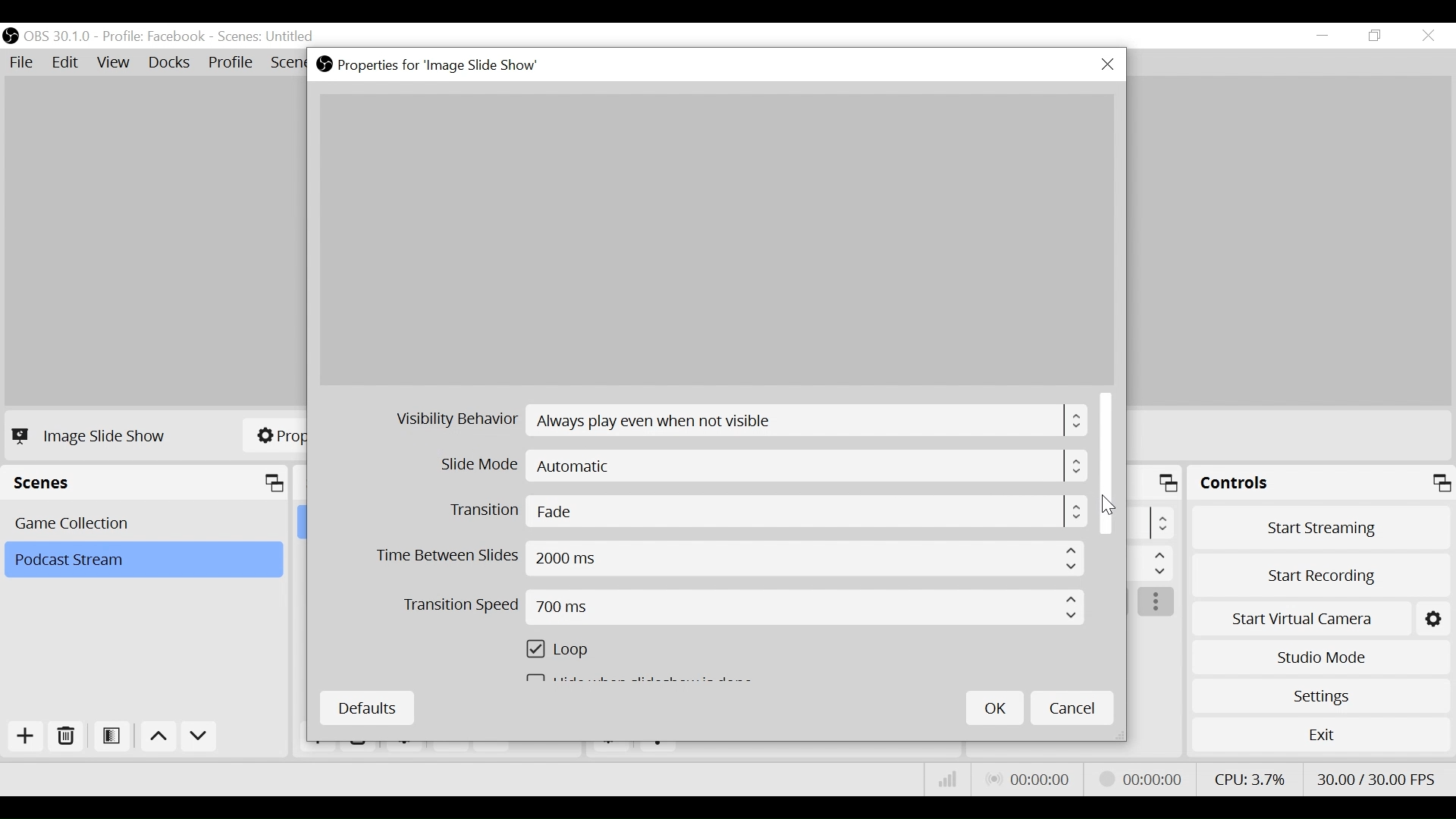 The height and width of the screenshot is (819, 1456). What do you see at coordinates (115, 737) in the screenshot?
I see `Open Scene Filter` at bounding box center [115, 737].